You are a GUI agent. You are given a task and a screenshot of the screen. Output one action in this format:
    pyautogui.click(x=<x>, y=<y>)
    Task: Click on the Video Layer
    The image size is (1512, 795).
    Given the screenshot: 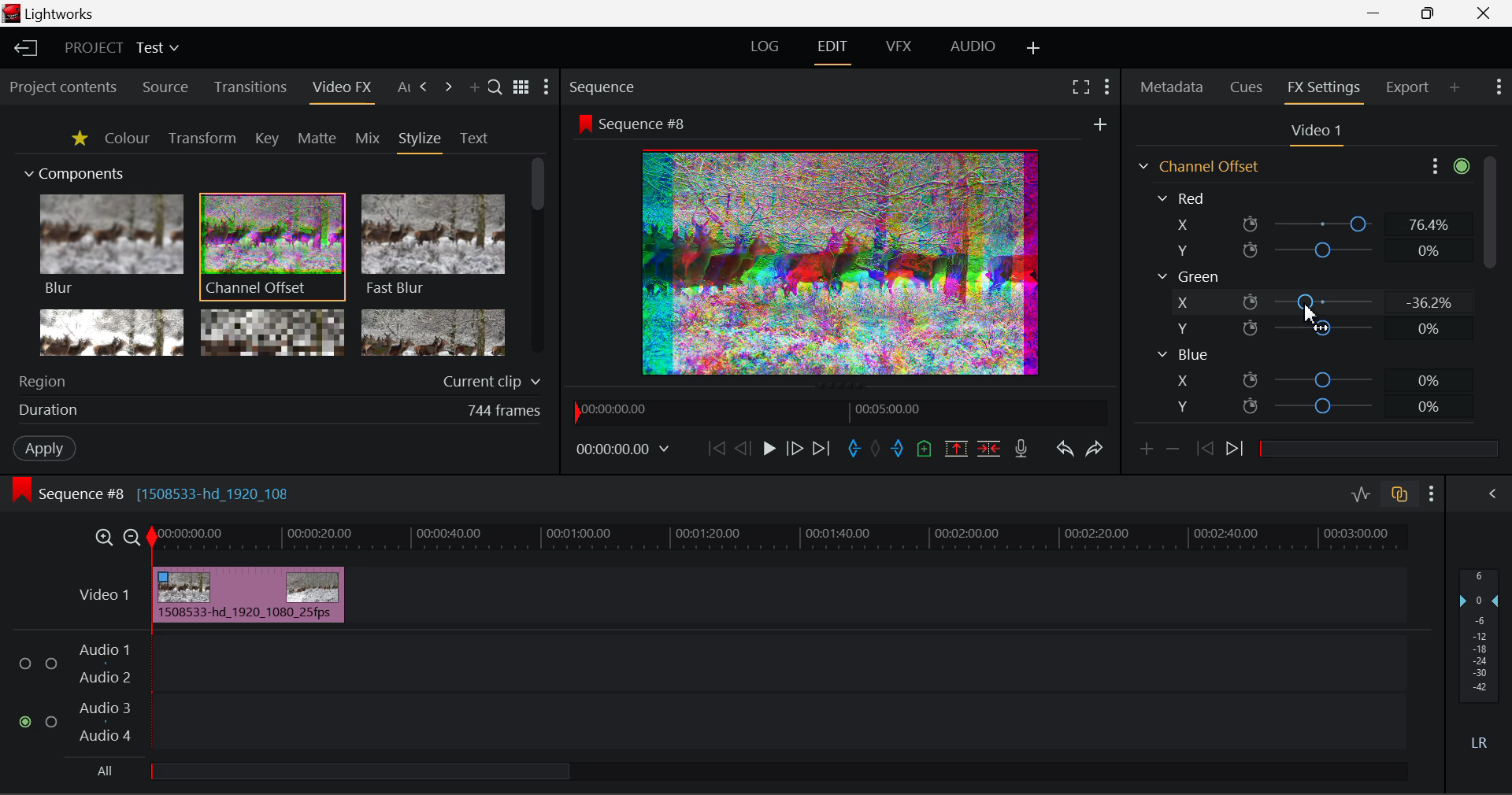 What is the action you would take?
    pyautogui.click(x=106, y=598)
    